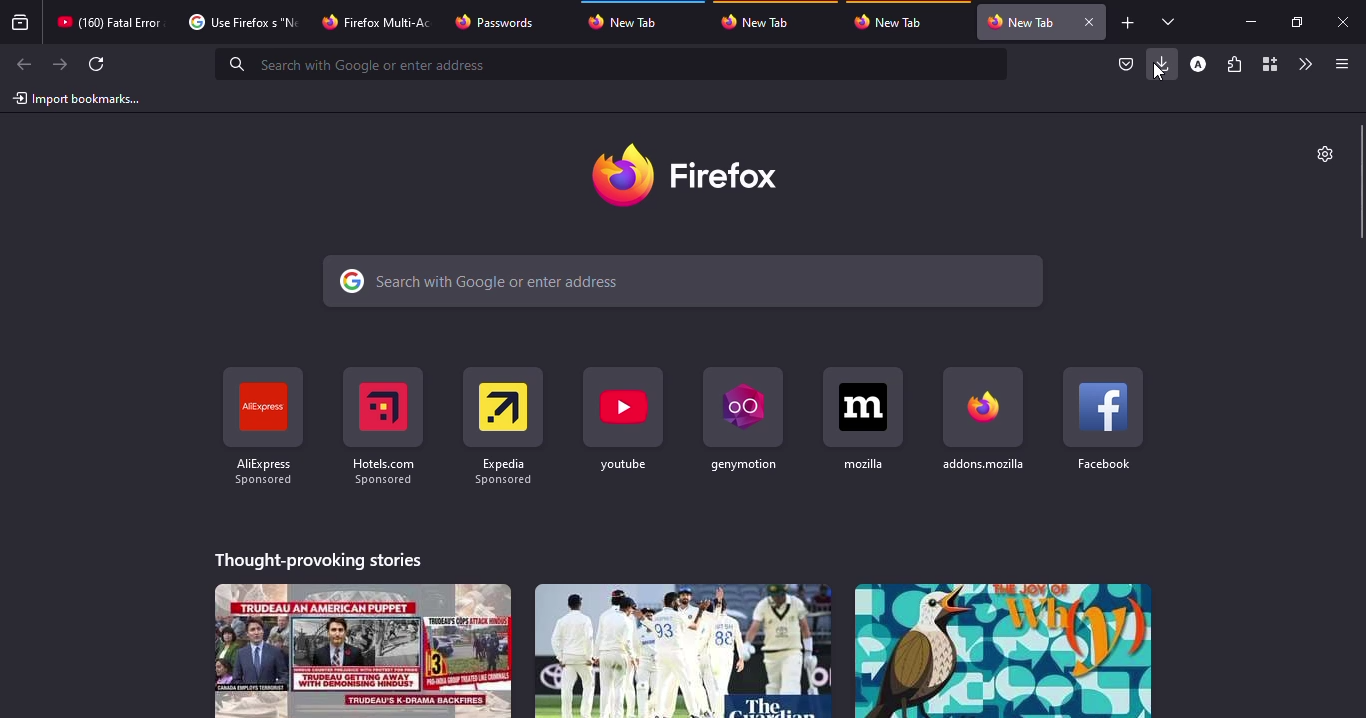 The width and height of the screenshot is (1366, 718). What do you see at coordinates (1367, 183) in the screenshot?
I see `scroll bar` at bounding box center [1367, 183].